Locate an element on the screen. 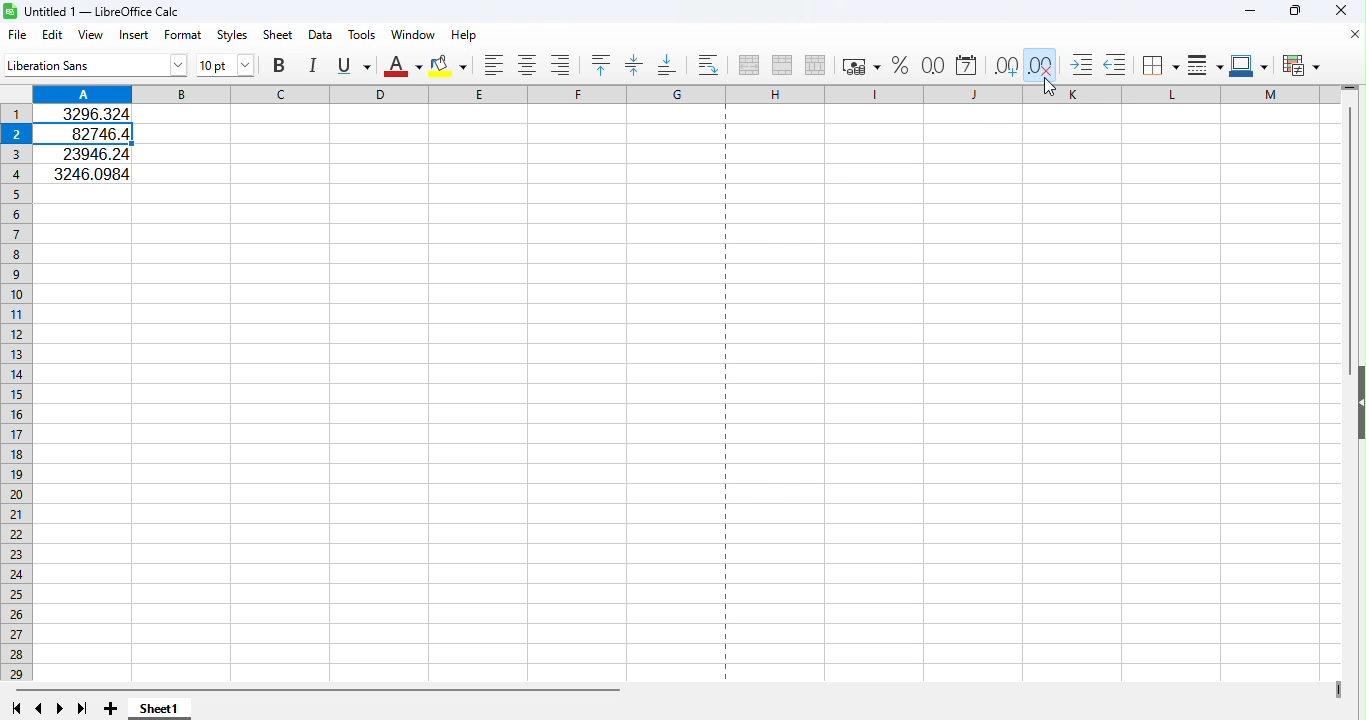  Conditional is located at coordinates (1299, 64).